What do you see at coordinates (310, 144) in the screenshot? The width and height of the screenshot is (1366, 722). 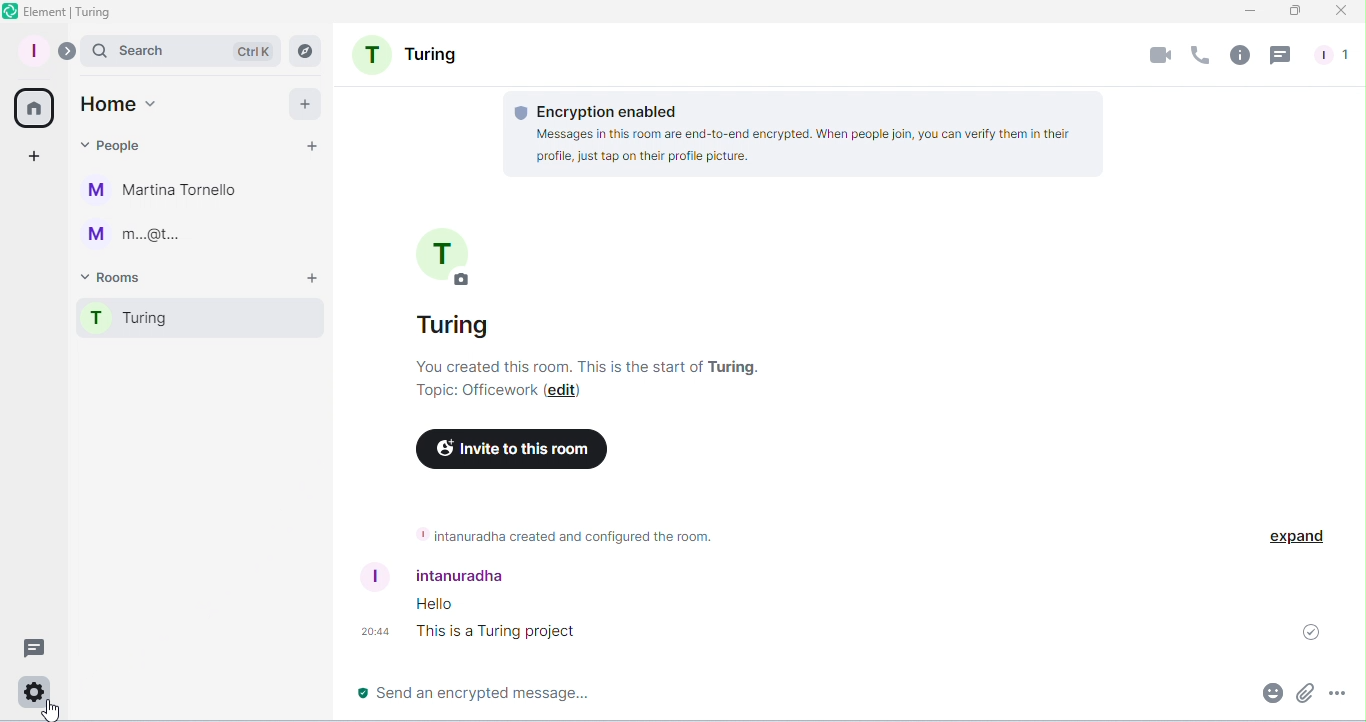 I see `Start chat` at bounding box center [310, 144].